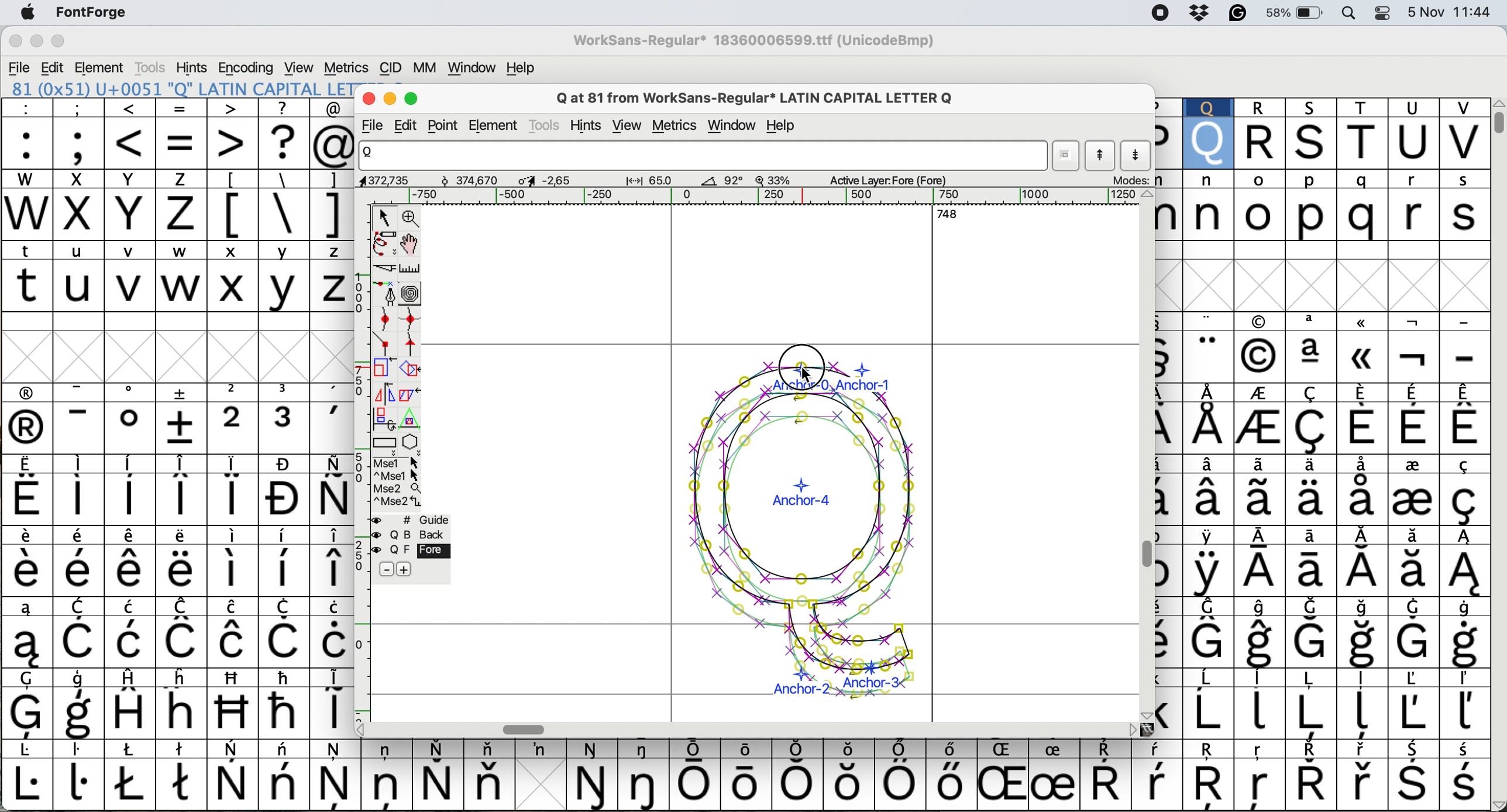  I want to click on maximise, so click(413, 99).